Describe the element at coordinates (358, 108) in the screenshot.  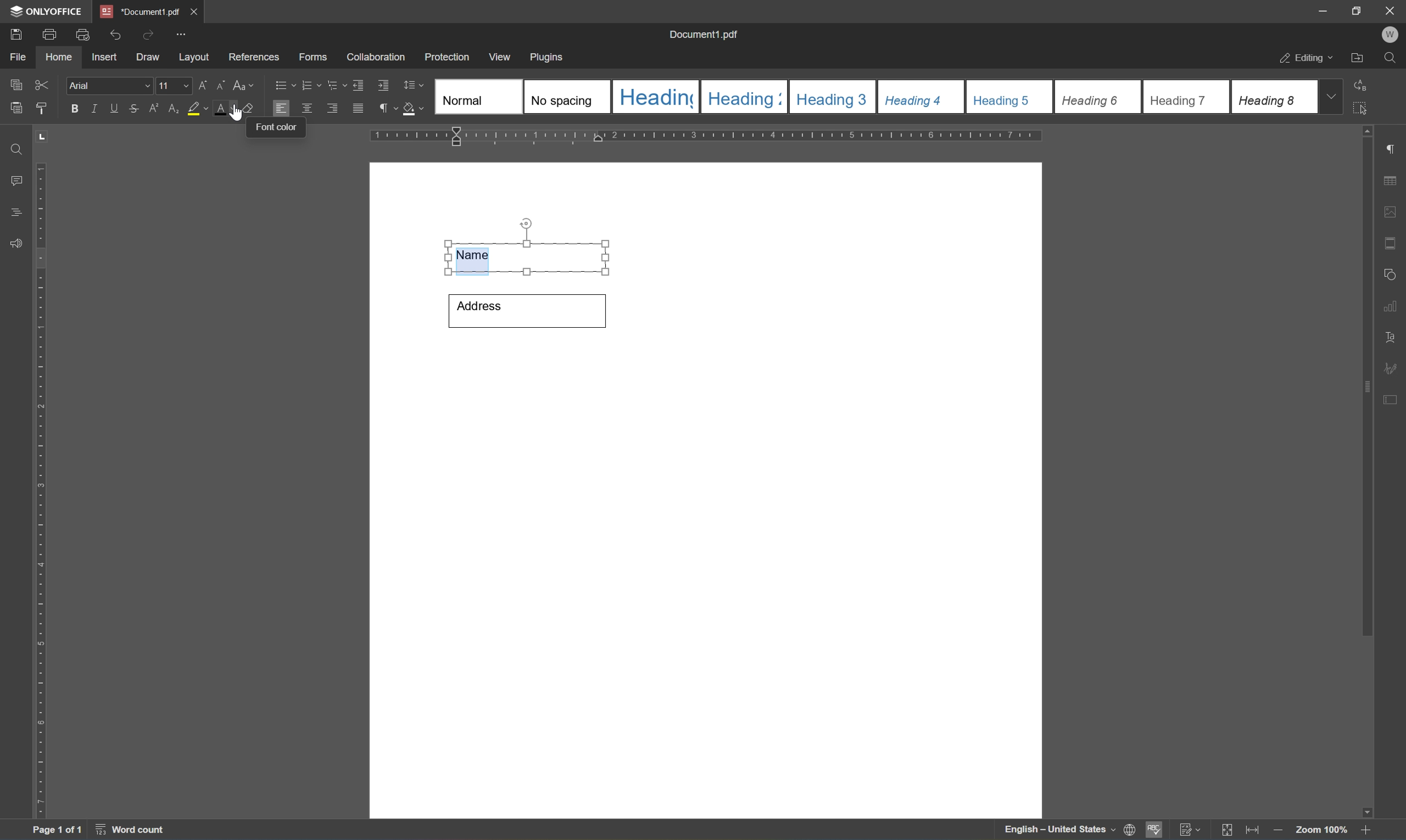
I see `justified` at that location.